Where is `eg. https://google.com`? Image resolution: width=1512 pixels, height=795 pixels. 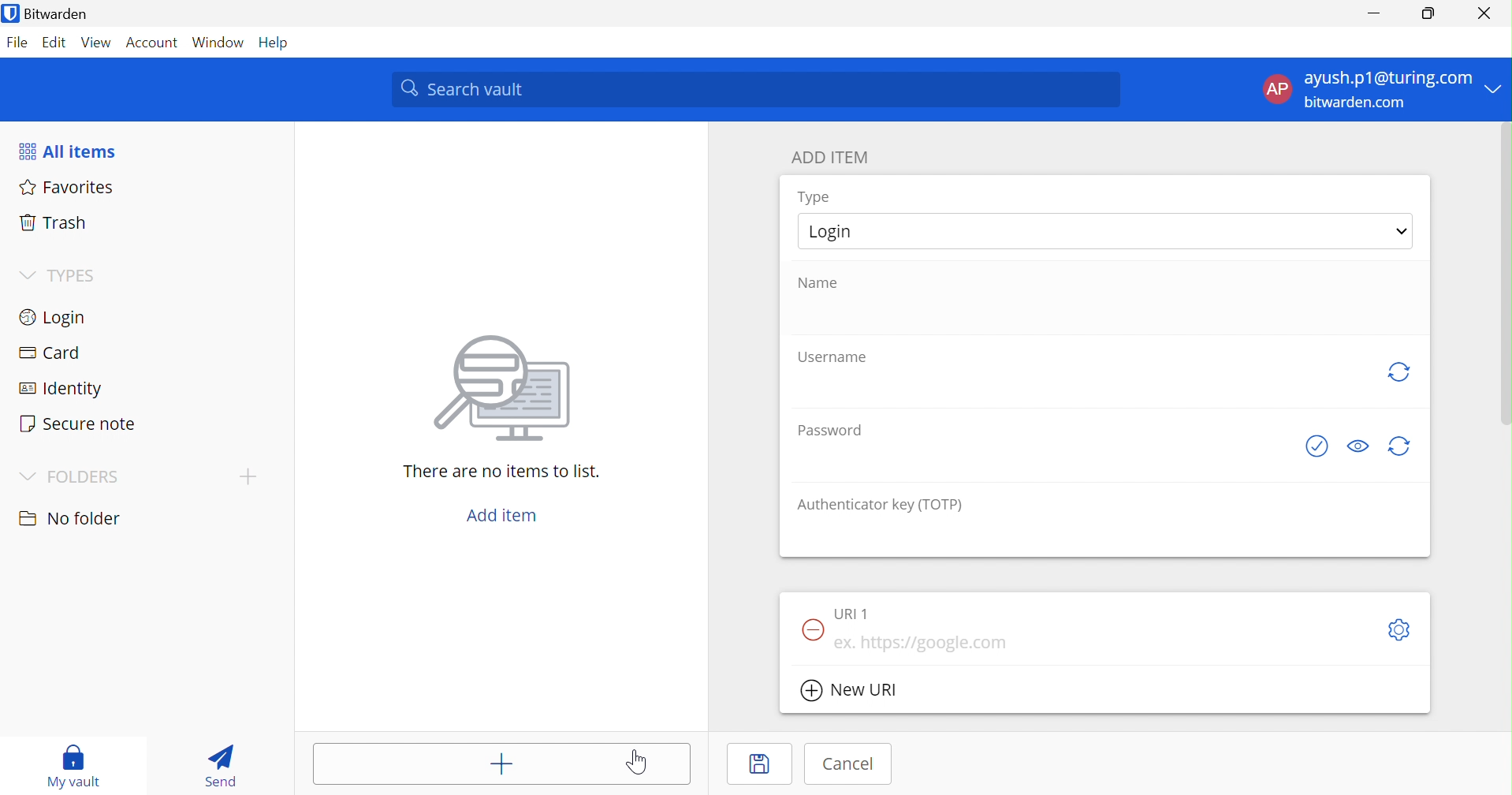
eg. https://google.com is located at coordinates (922, 644).